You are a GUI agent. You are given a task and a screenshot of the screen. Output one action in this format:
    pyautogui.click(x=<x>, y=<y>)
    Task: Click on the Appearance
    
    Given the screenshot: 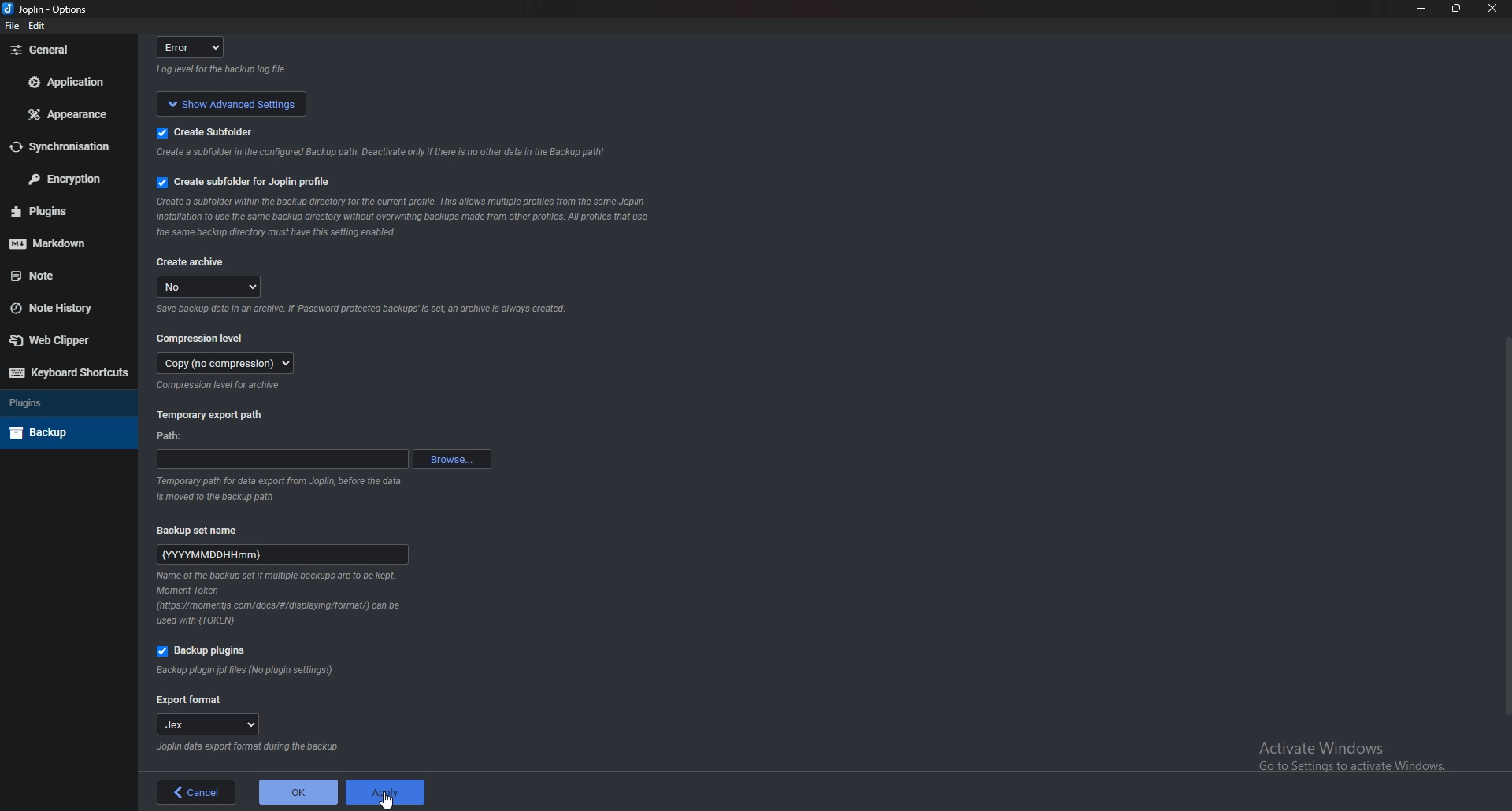 What is the action you would take?
    pyautogui.click(x=72, y=113)
    